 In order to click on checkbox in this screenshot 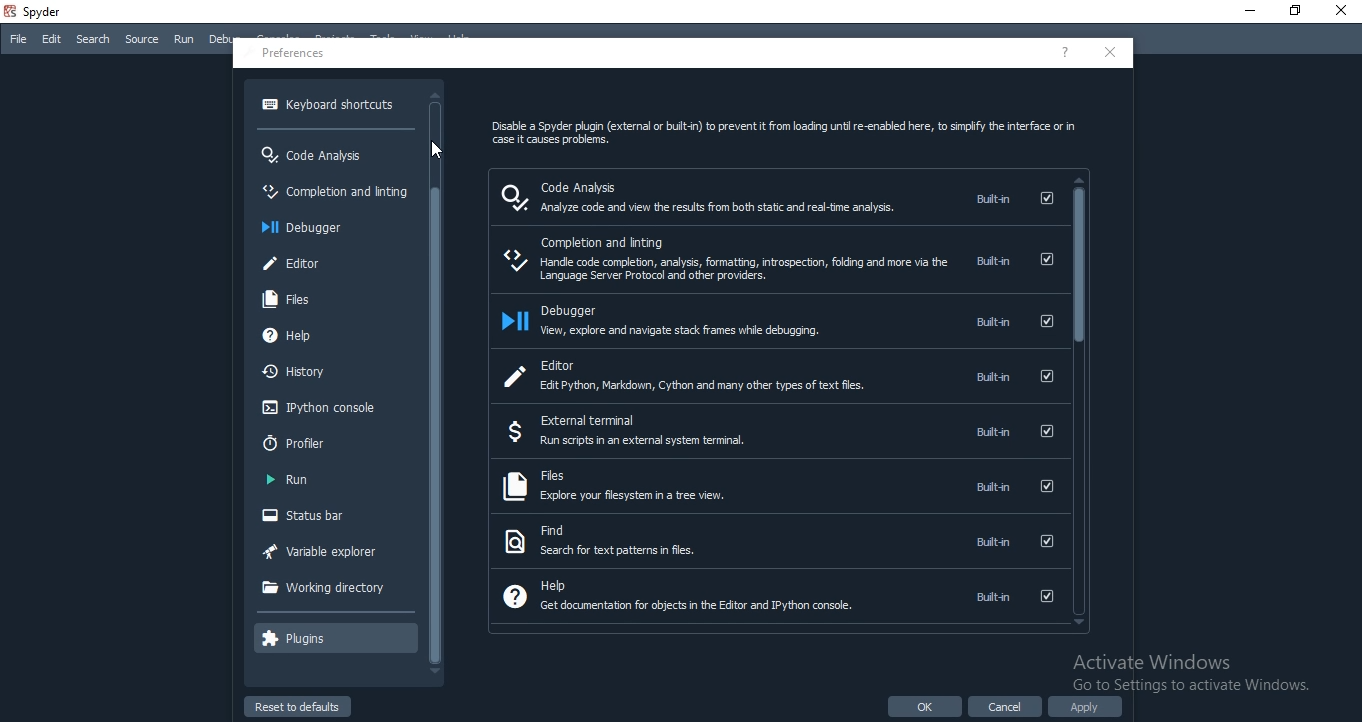, I will do `click(1044, 599)`.